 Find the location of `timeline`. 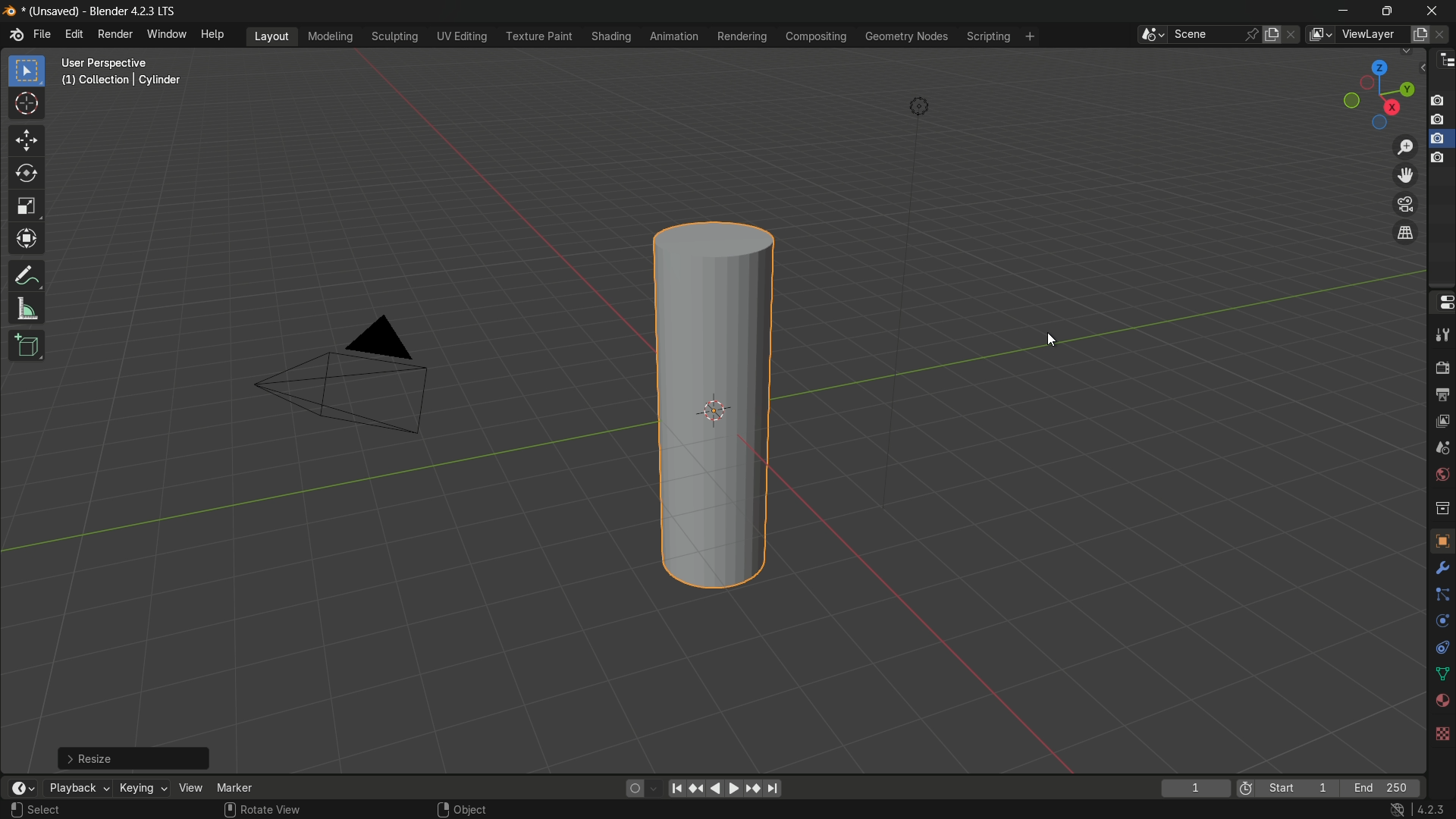

timeline is located at coordinates (20, 788).